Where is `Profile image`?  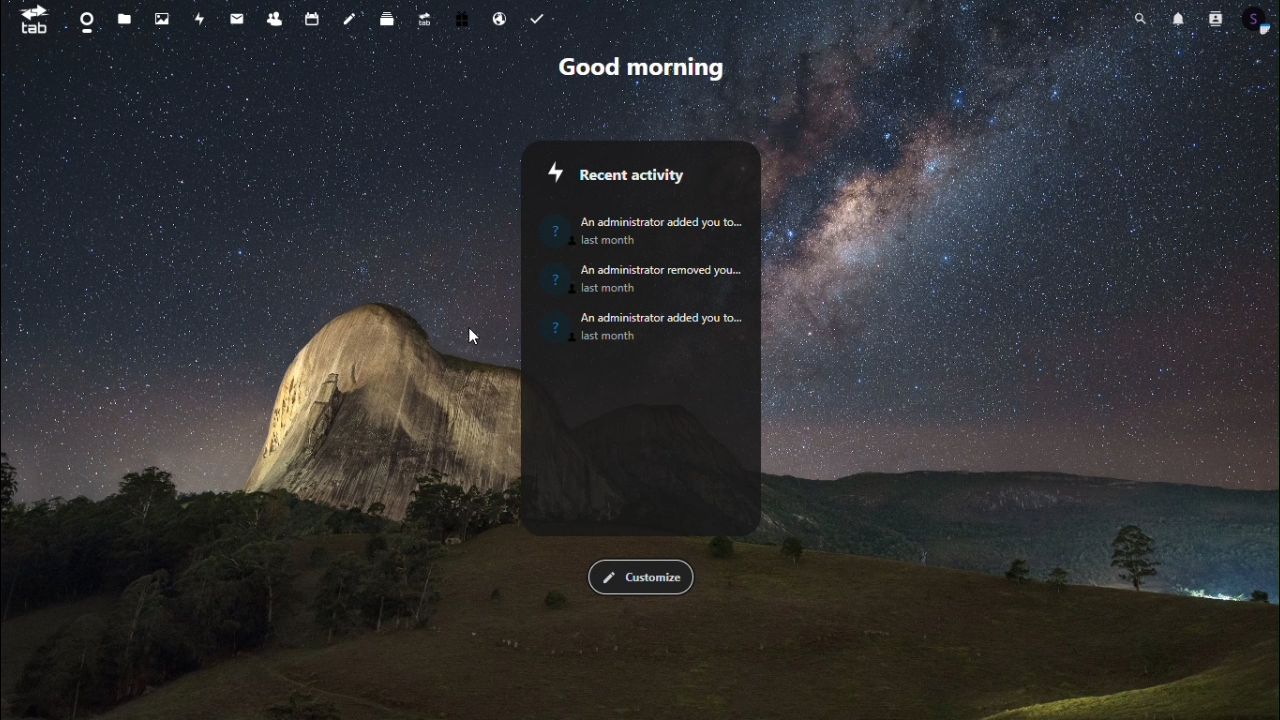
Profile image is located at coordinates (551, 280).